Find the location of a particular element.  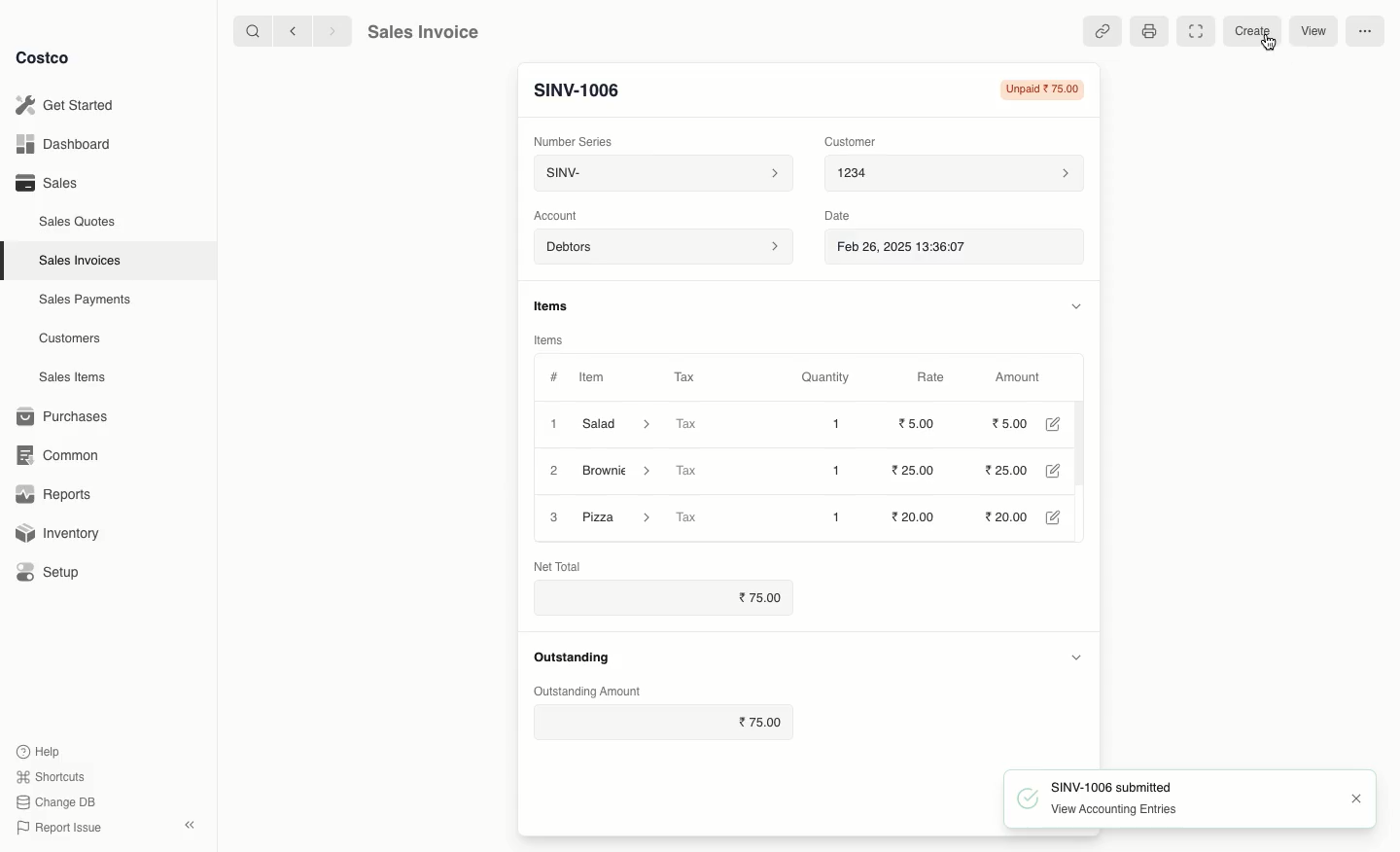

Dashboard is located at coordinates (60, 145).